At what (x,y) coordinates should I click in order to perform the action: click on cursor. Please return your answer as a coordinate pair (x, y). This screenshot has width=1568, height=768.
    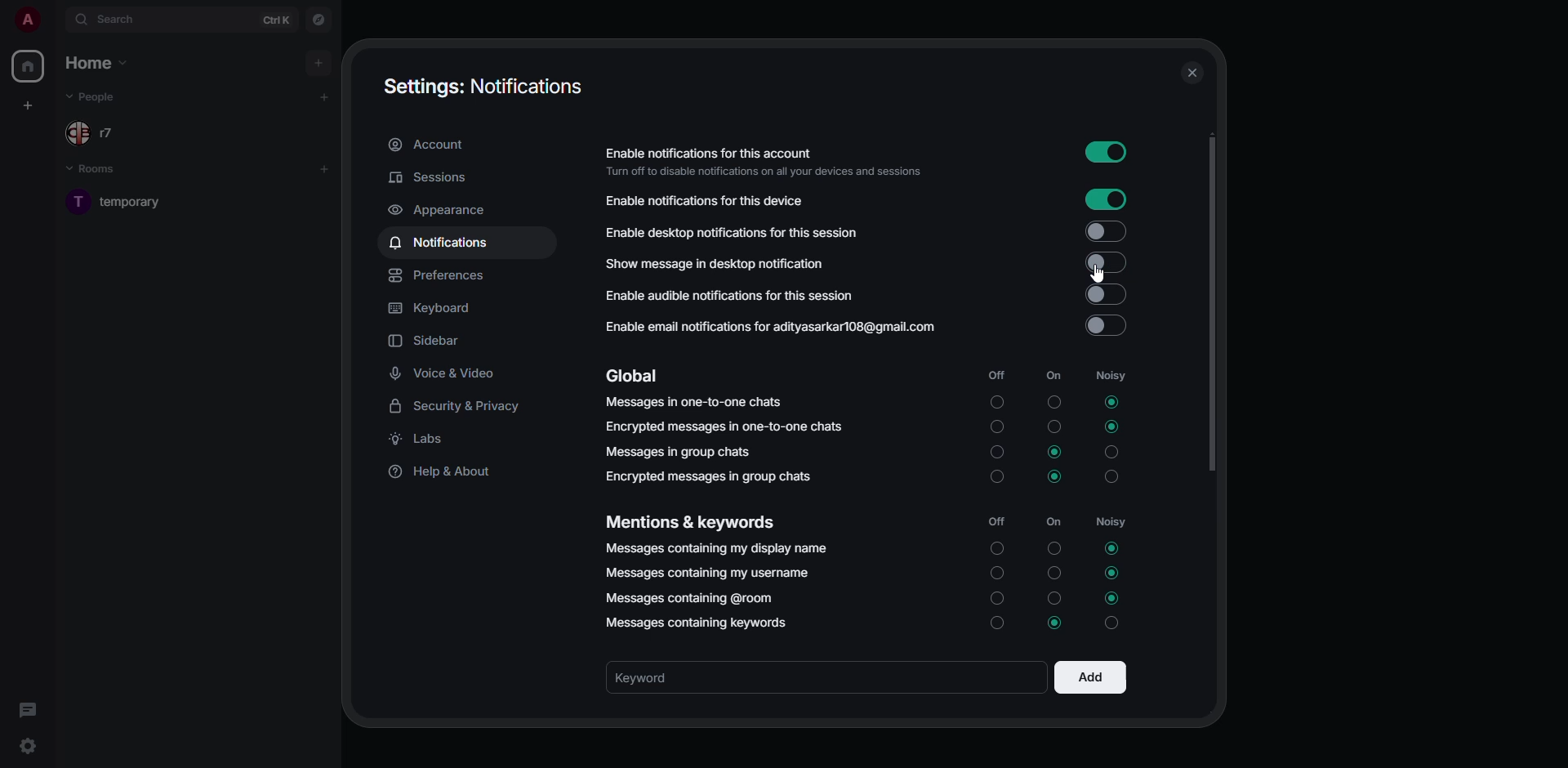
    Looking at the image, I should click on (1098, 272).